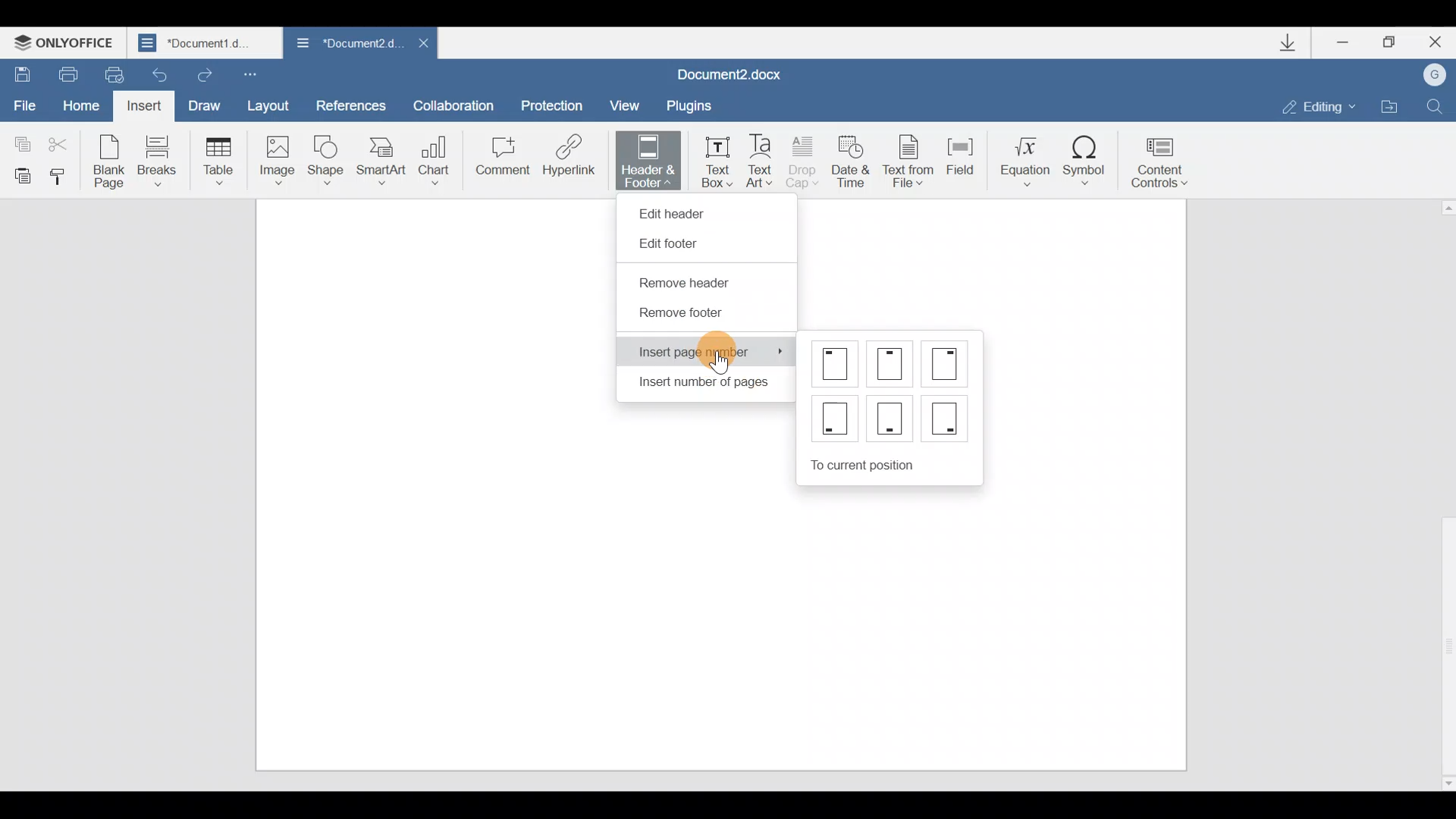  What do you see at coordinates (277, 160) in the screenshot?
I see `Image` at bounding box center [277, 160].